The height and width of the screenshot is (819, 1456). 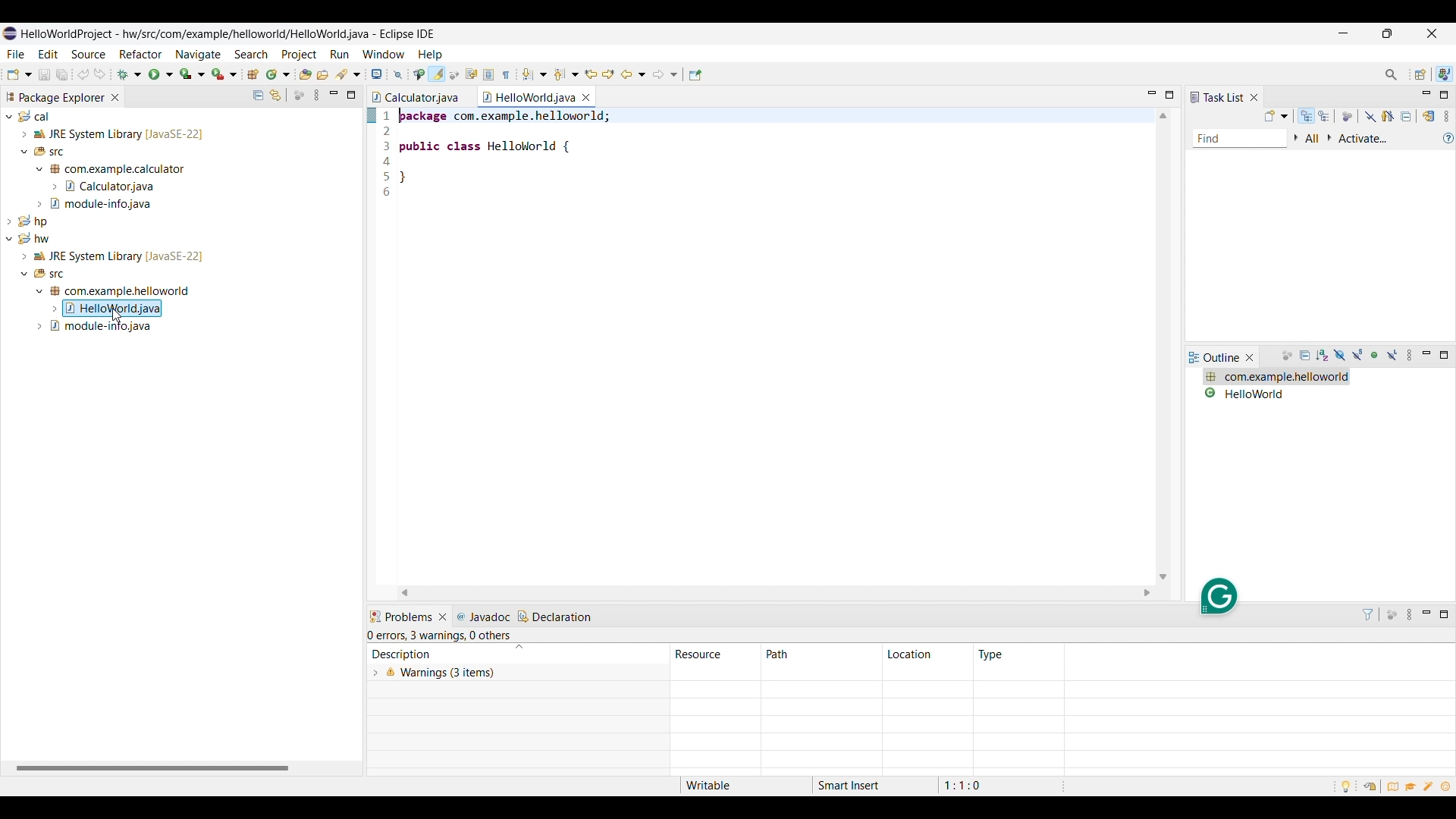 I want to click on Focus on active task, so click(x=1392, y=615).